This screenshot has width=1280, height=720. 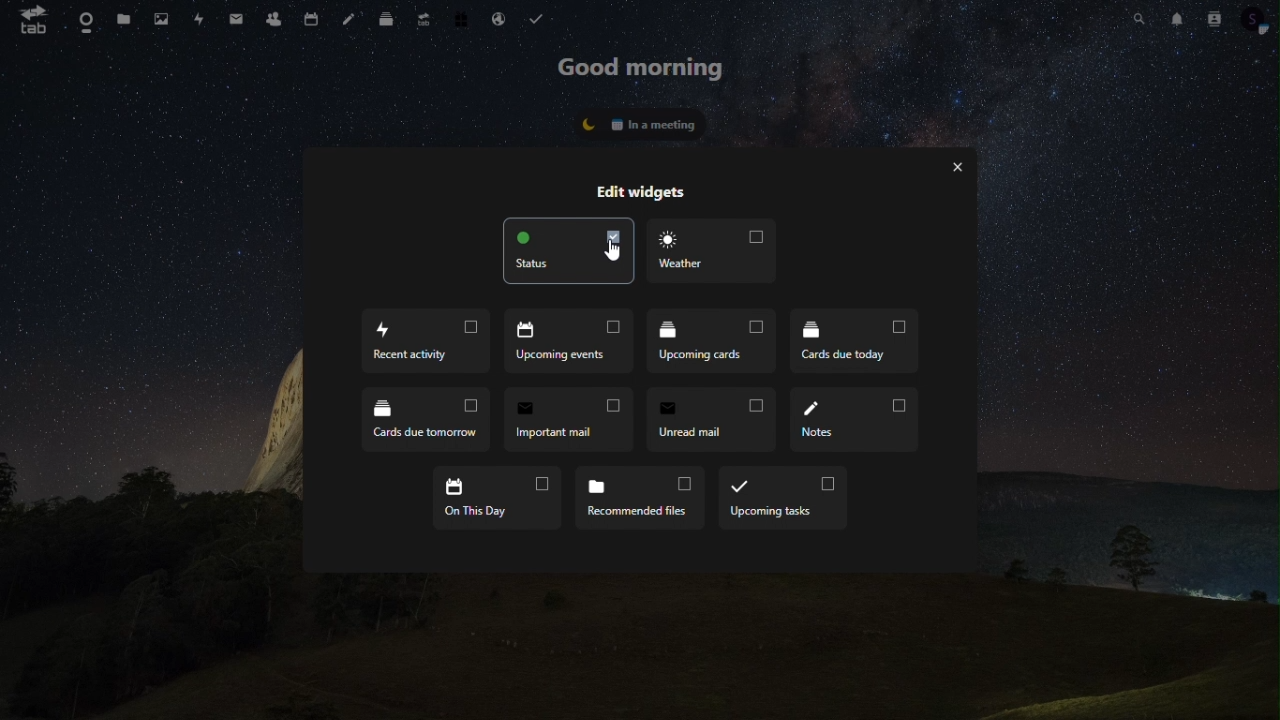 What do you see at coordinates (638, 64) in the screenshot?
I see `good morning` at bounding box center [638, 64].